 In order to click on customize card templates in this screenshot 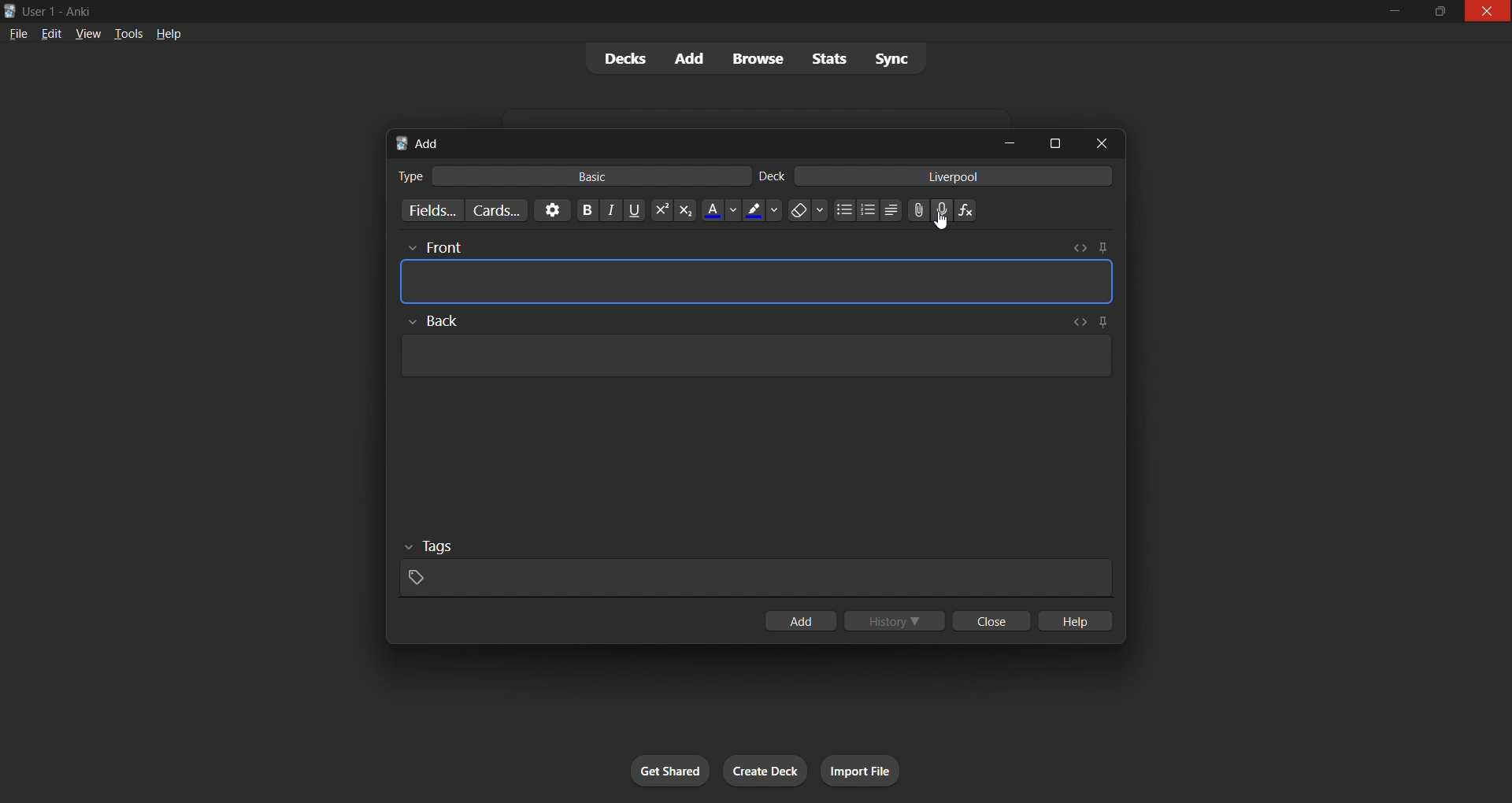, I will do `click(495, 212)`.